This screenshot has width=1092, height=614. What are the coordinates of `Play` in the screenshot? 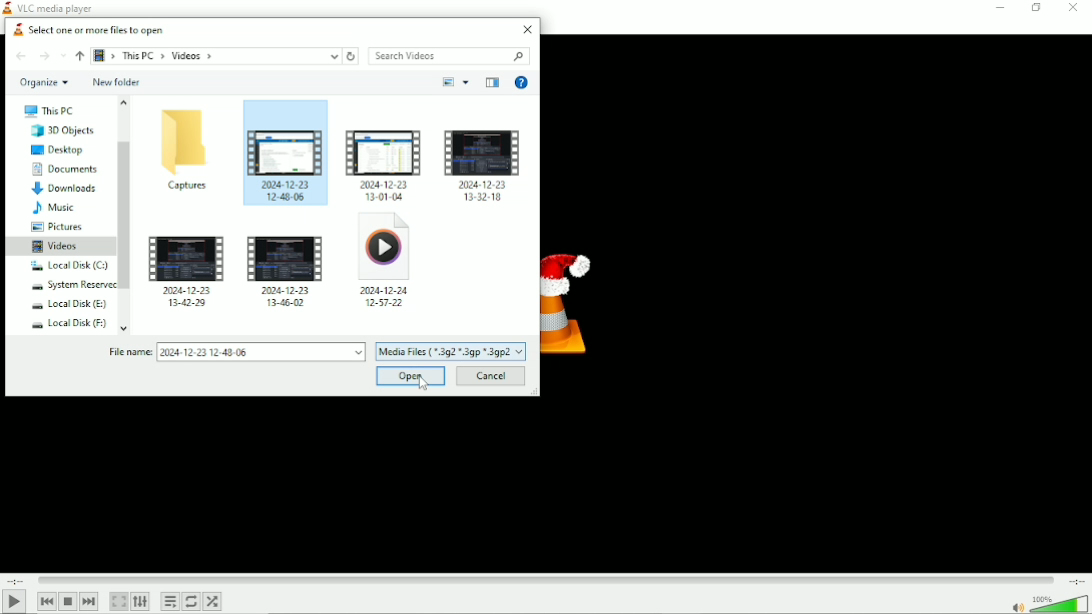 It's located at (15, 602).